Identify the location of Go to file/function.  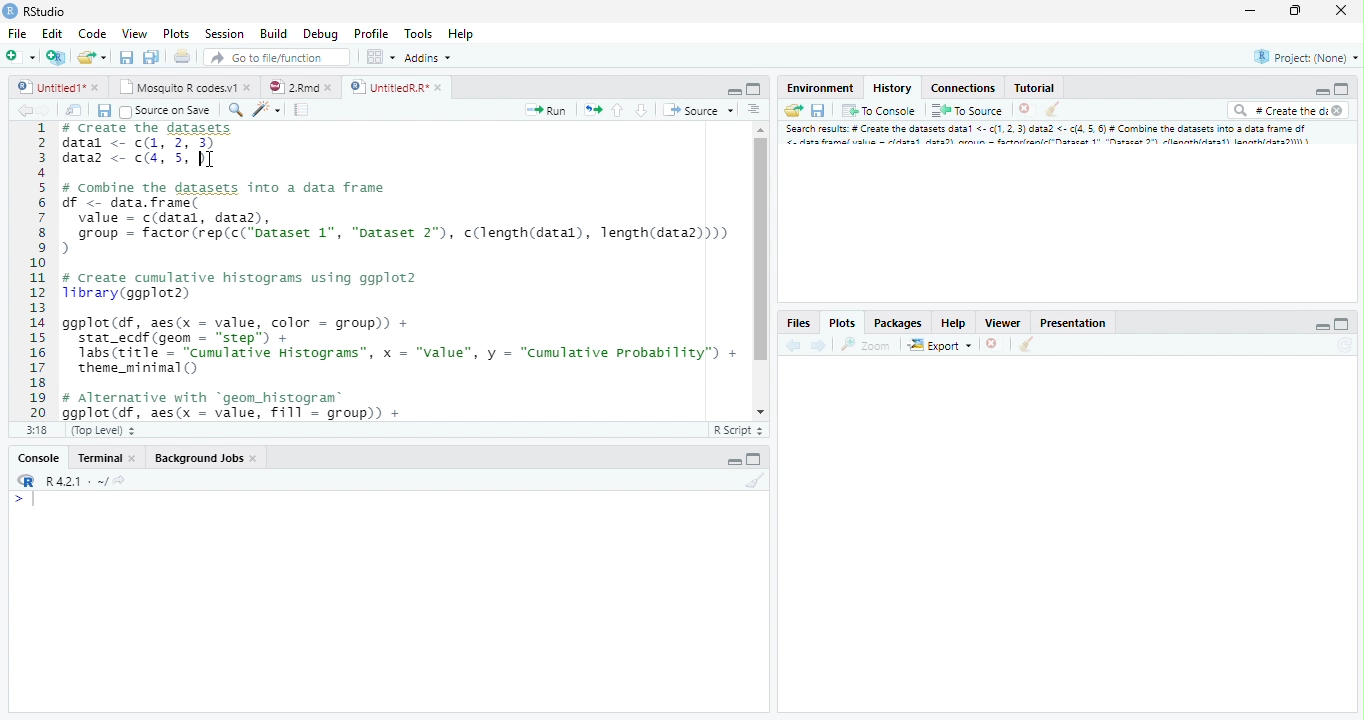
(275, 58).